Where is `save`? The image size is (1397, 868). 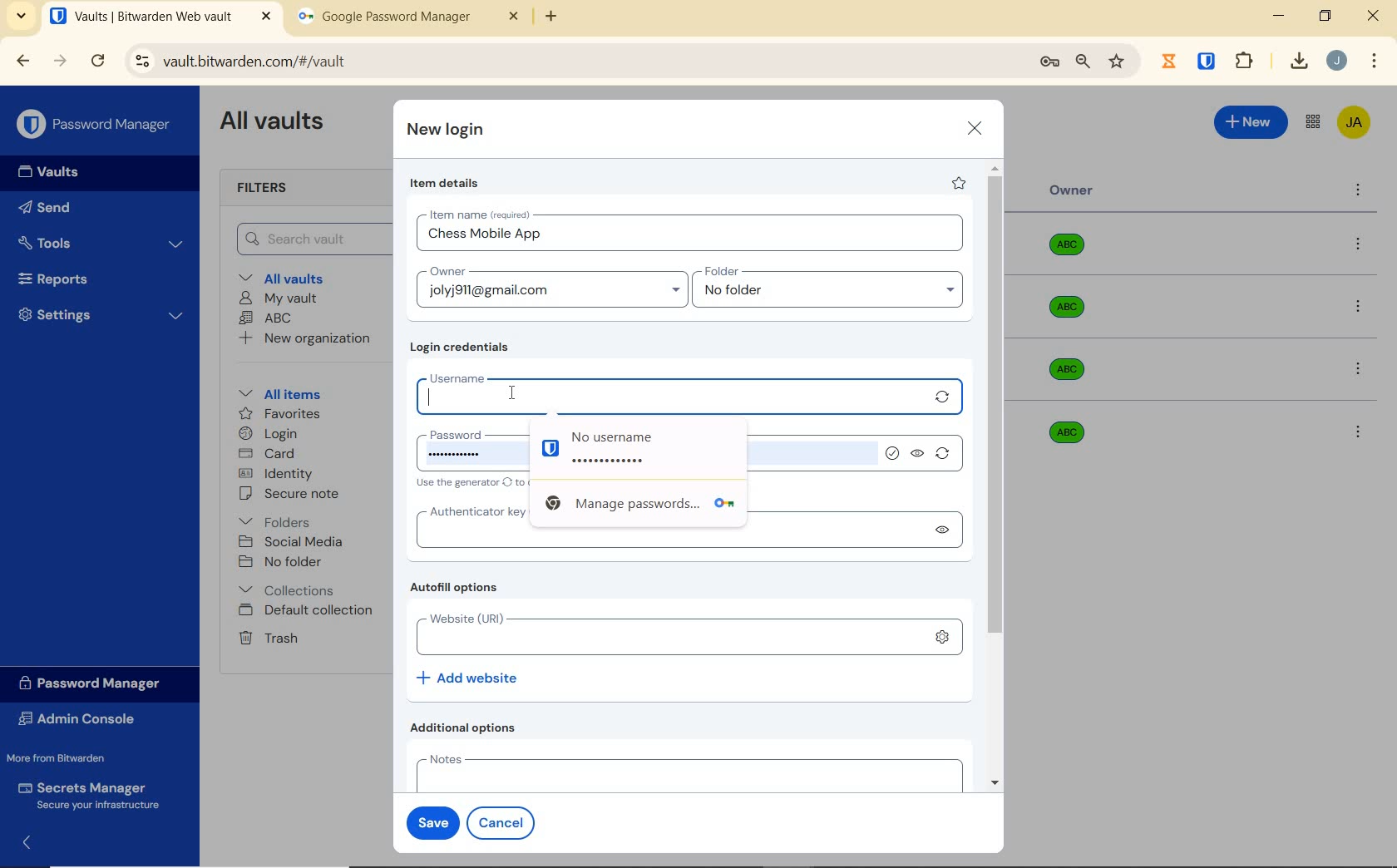 save is located at coordinates (429, 821).